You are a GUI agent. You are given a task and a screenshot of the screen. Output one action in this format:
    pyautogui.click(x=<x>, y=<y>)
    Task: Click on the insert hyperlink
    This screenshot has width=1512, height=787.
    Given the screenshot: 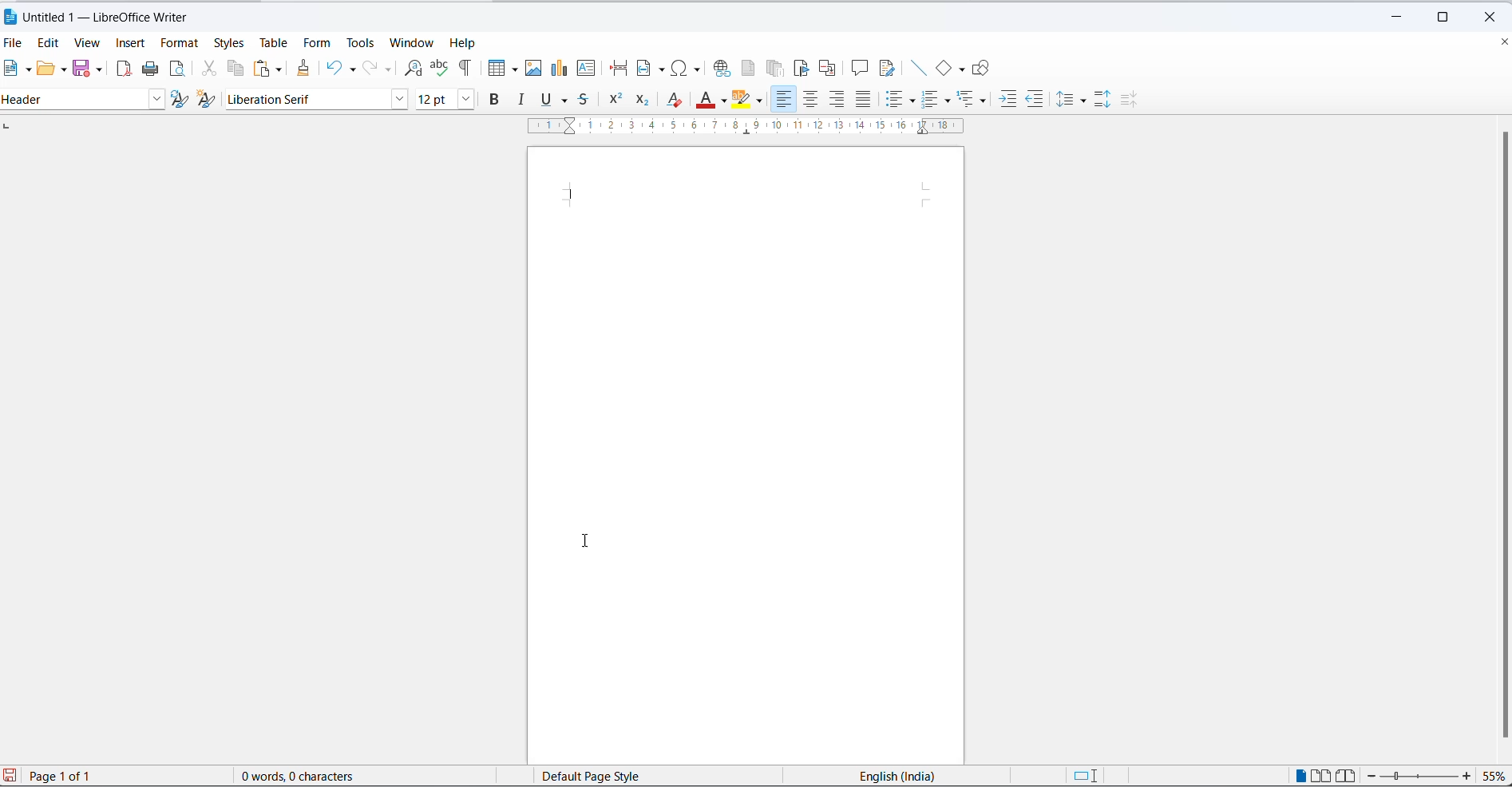 What is the action you would take?
    pyautogui.click(x=722, y=68)
    